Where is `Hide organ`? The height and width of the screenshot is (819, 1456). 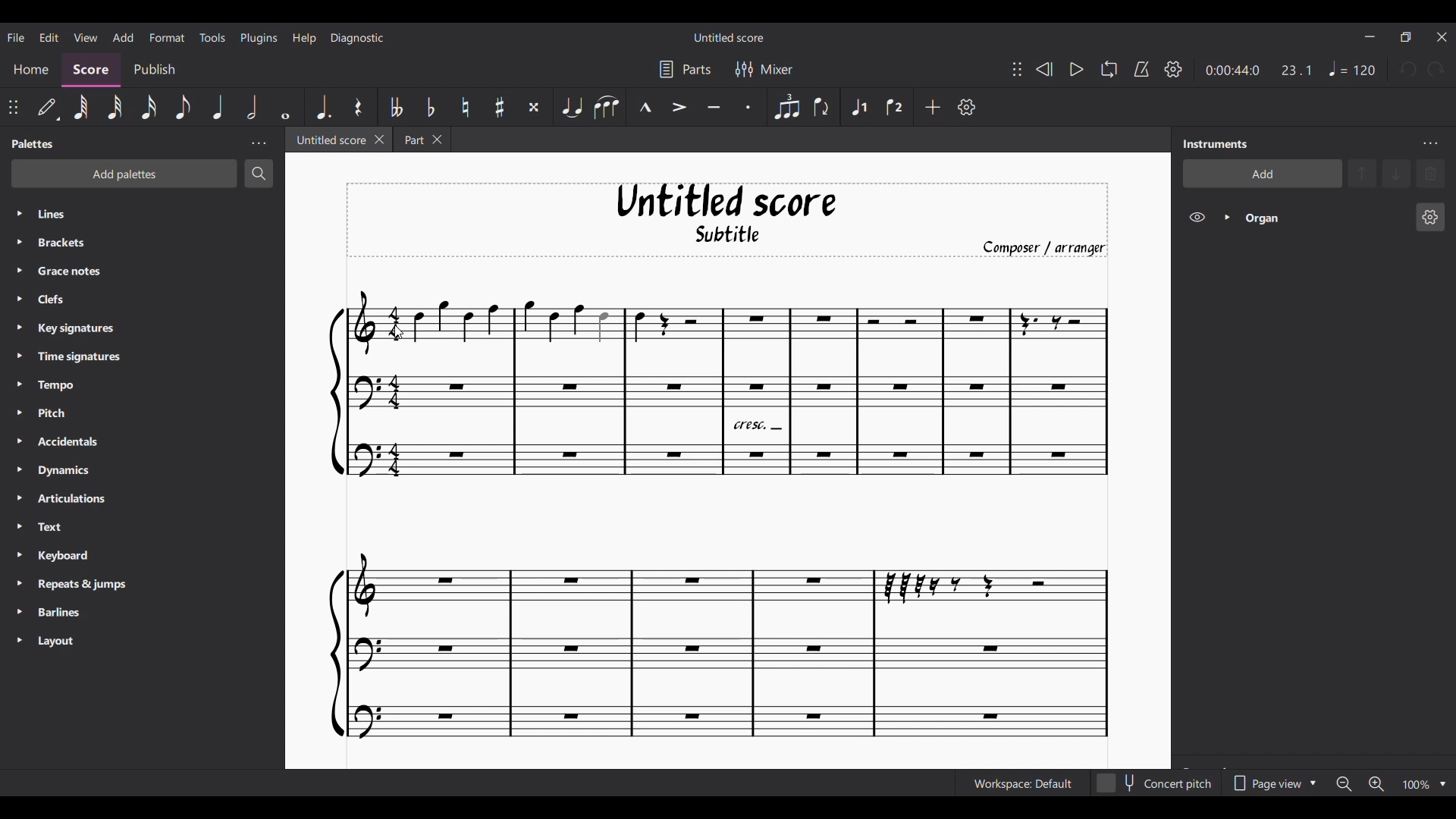
Hide organ is located at coordinates (1197, 217).